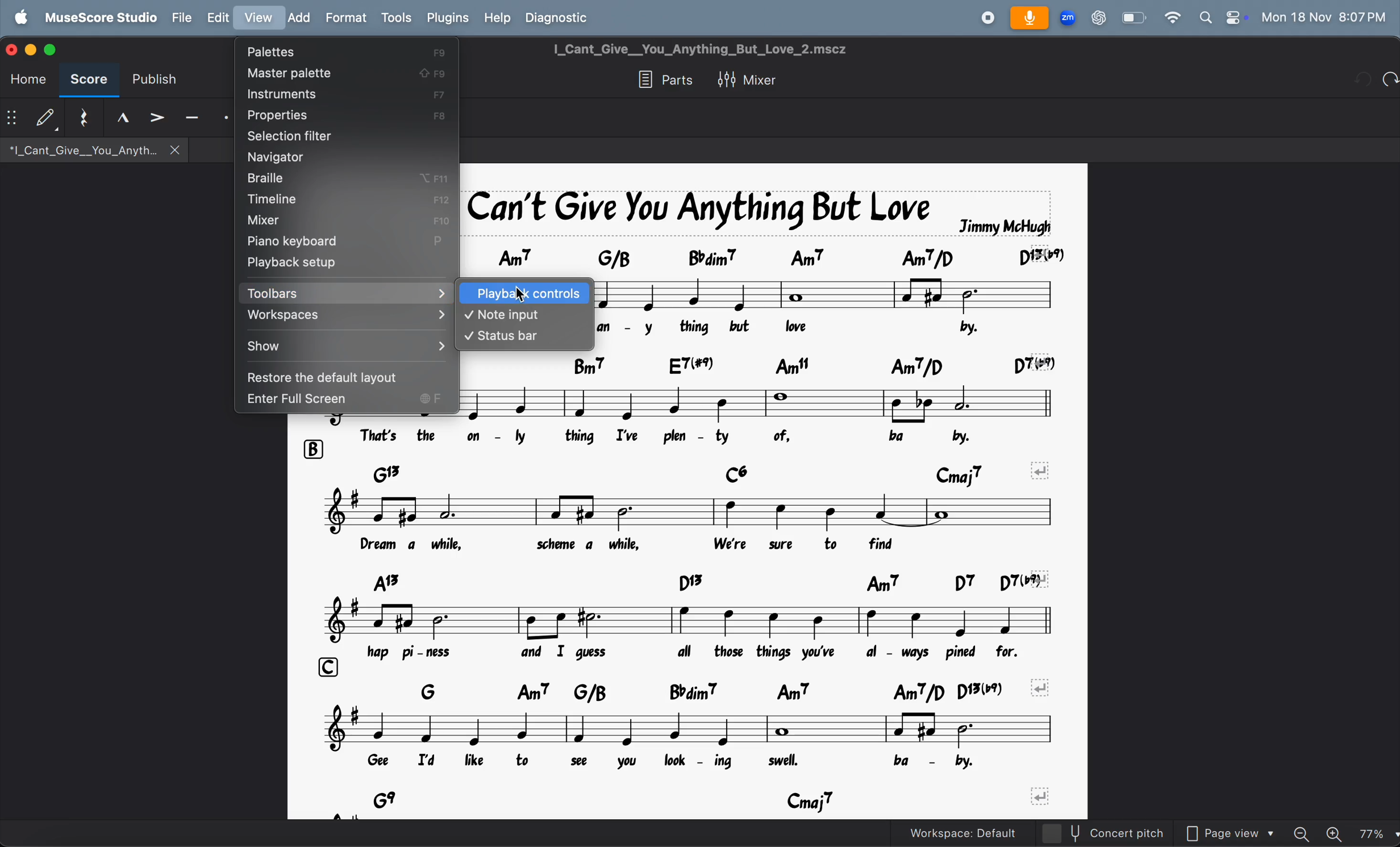 This screenshot has width=1400, height=847. Describe the element at coordinates (218, 16) in the screenshot. I see `edit` at that location.